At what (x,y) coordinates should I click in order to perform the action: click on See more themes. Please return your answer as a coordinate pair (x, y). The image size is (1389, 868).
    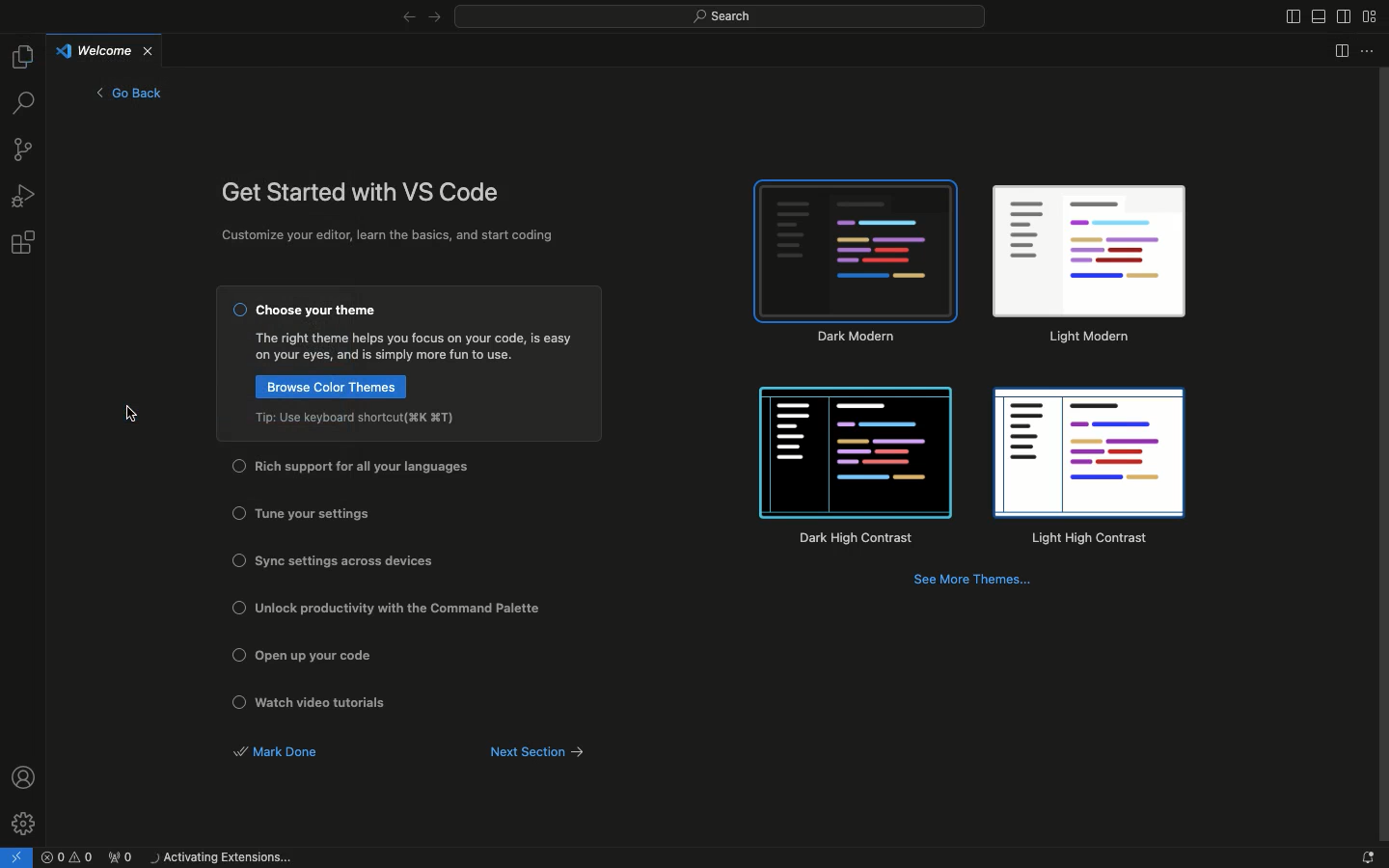
    Looking at the image, I should click on (975, 583).